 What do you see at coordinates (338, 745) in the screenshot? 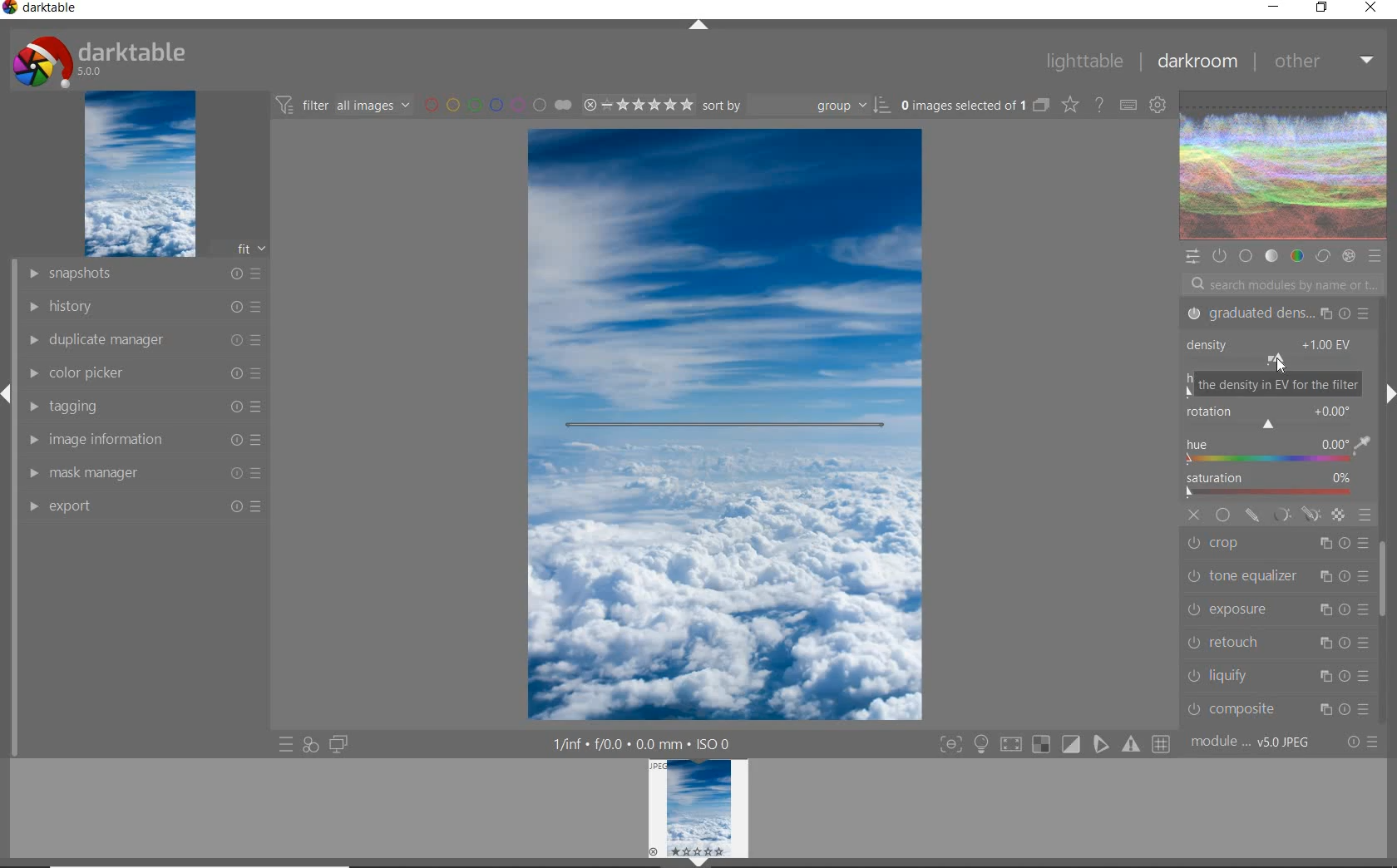
I see `DISPLAY A SECOND DARKROOM DISPLAY` at bounding box center [338, 745].